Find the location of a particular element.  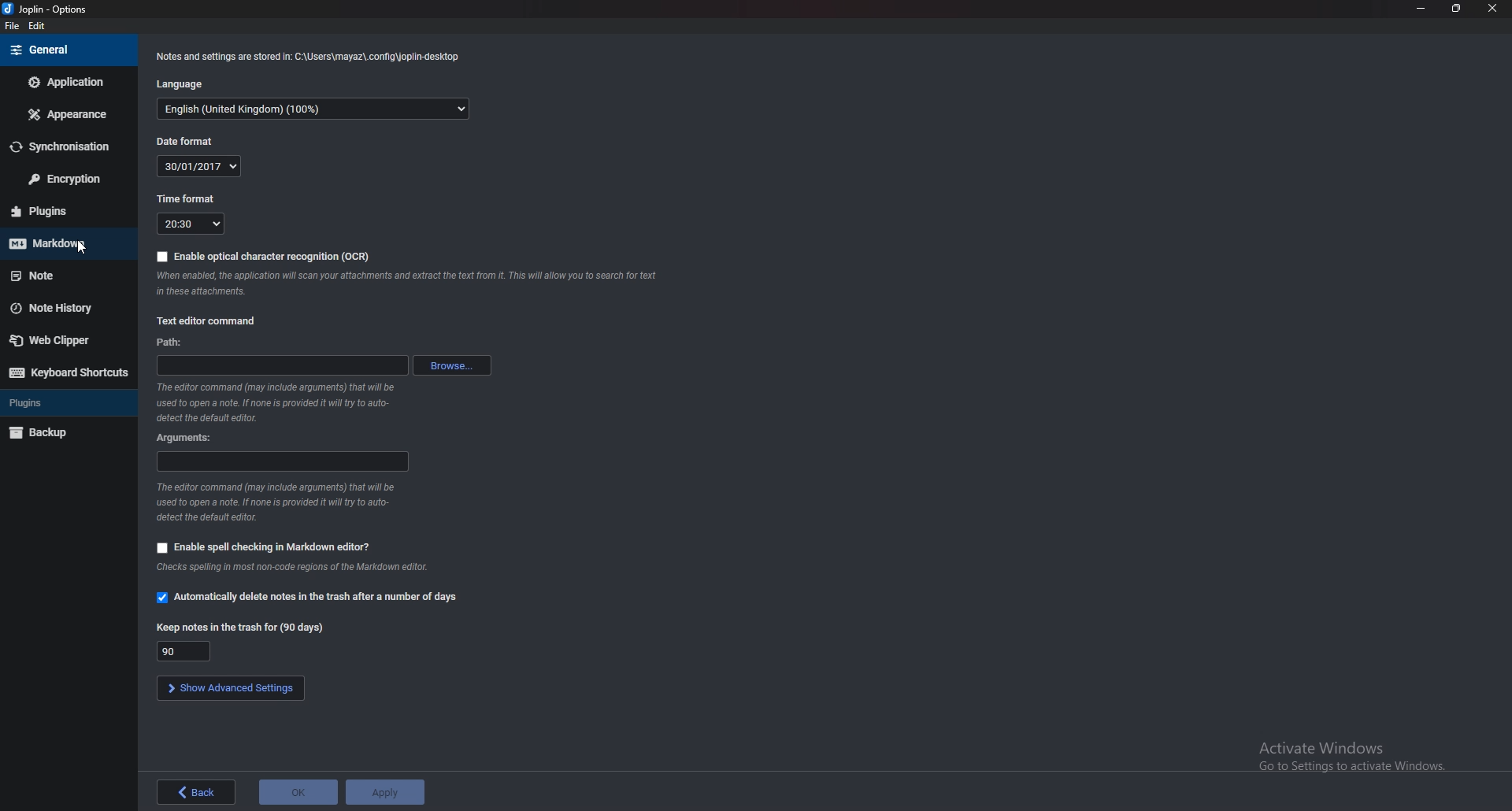

show advanced settings is located at coordinates (228, 689).